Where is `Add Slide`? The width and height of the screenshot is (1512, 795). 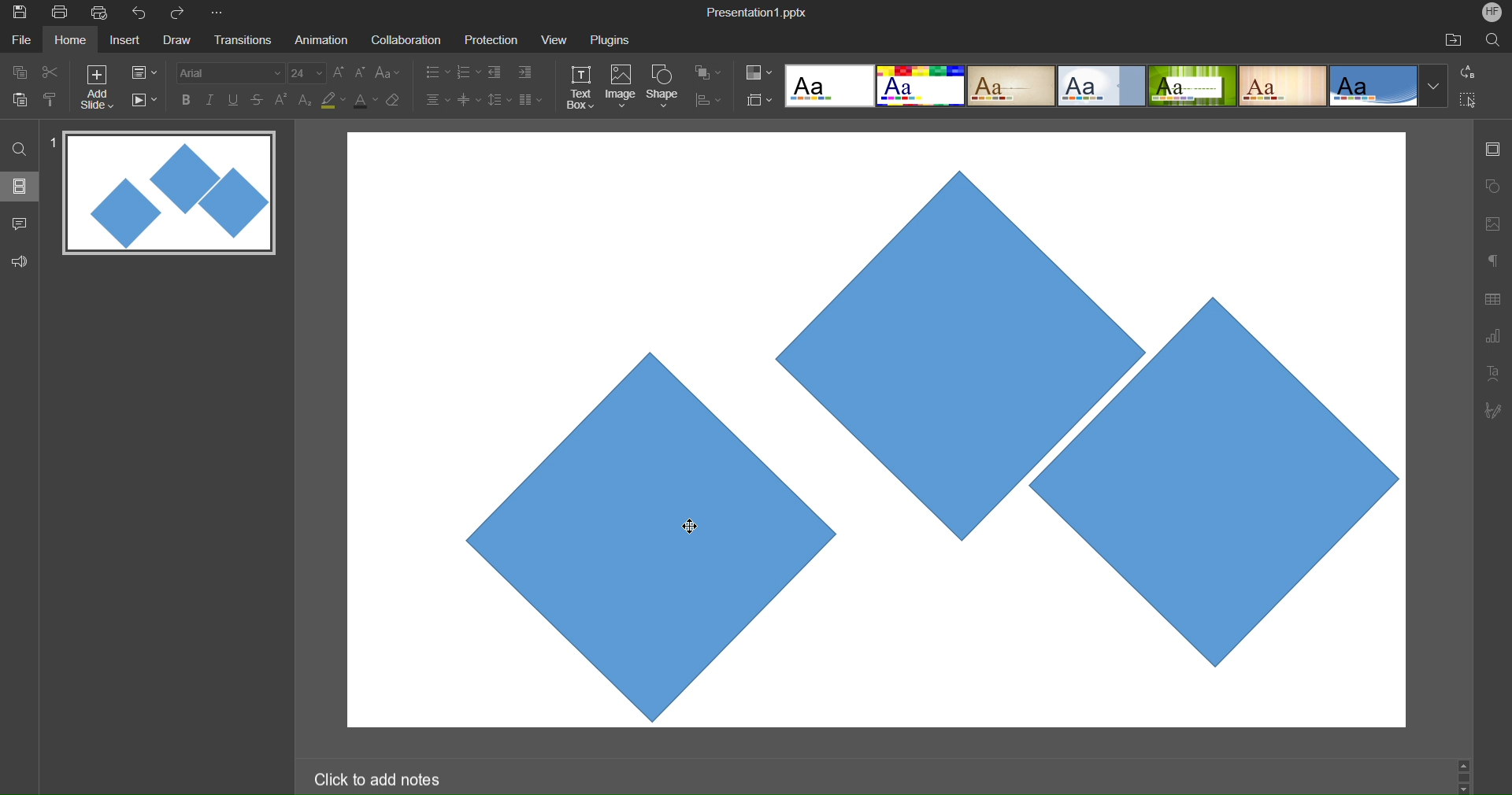 Add Slide is located at coordinates (97, 87).